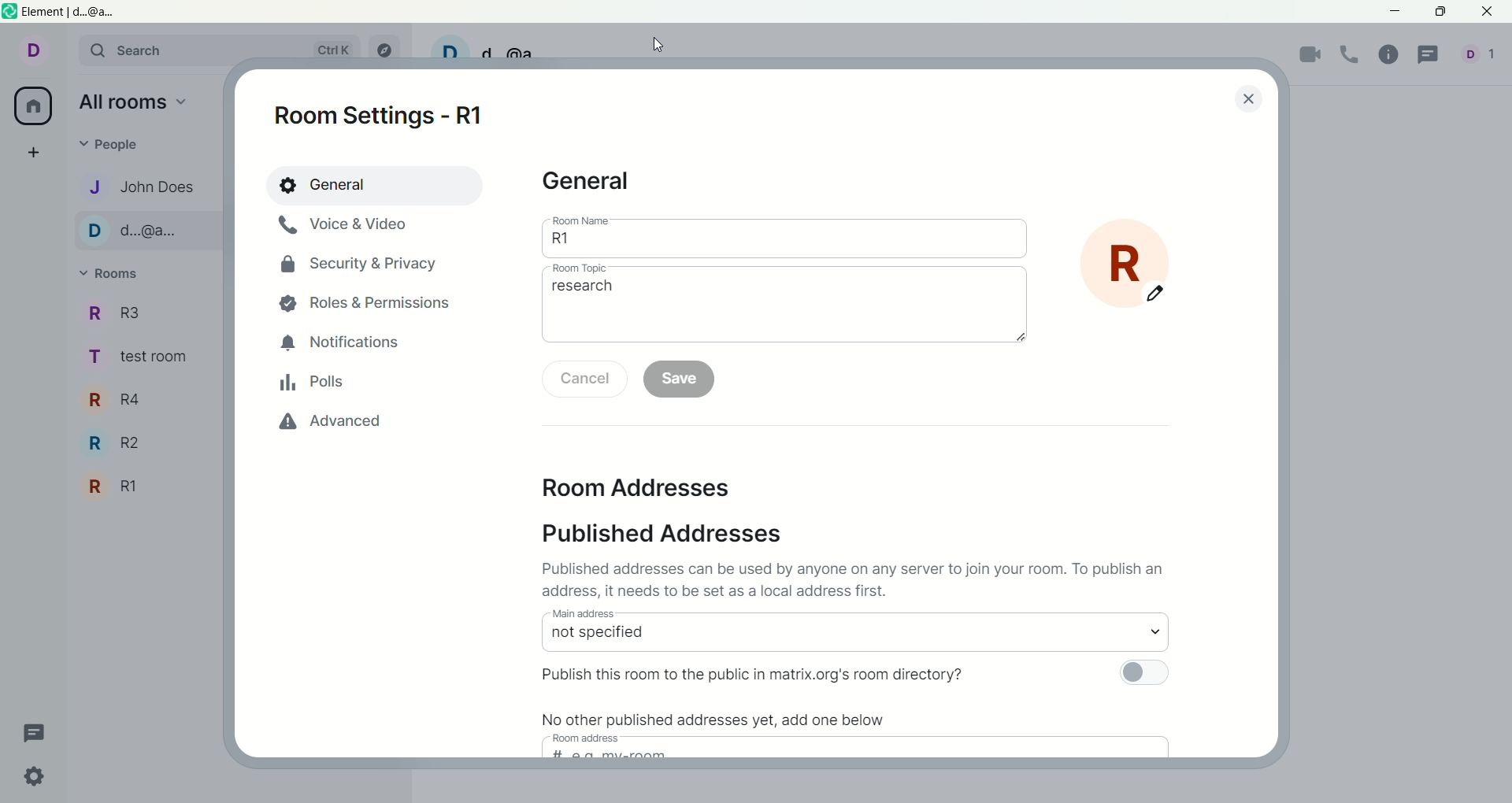 The height and width of the screenshot is (803, 1512). What do you see at coordinates (119, 442) in the screenshot?
I see `r r2` at bounding box center [119, 442].